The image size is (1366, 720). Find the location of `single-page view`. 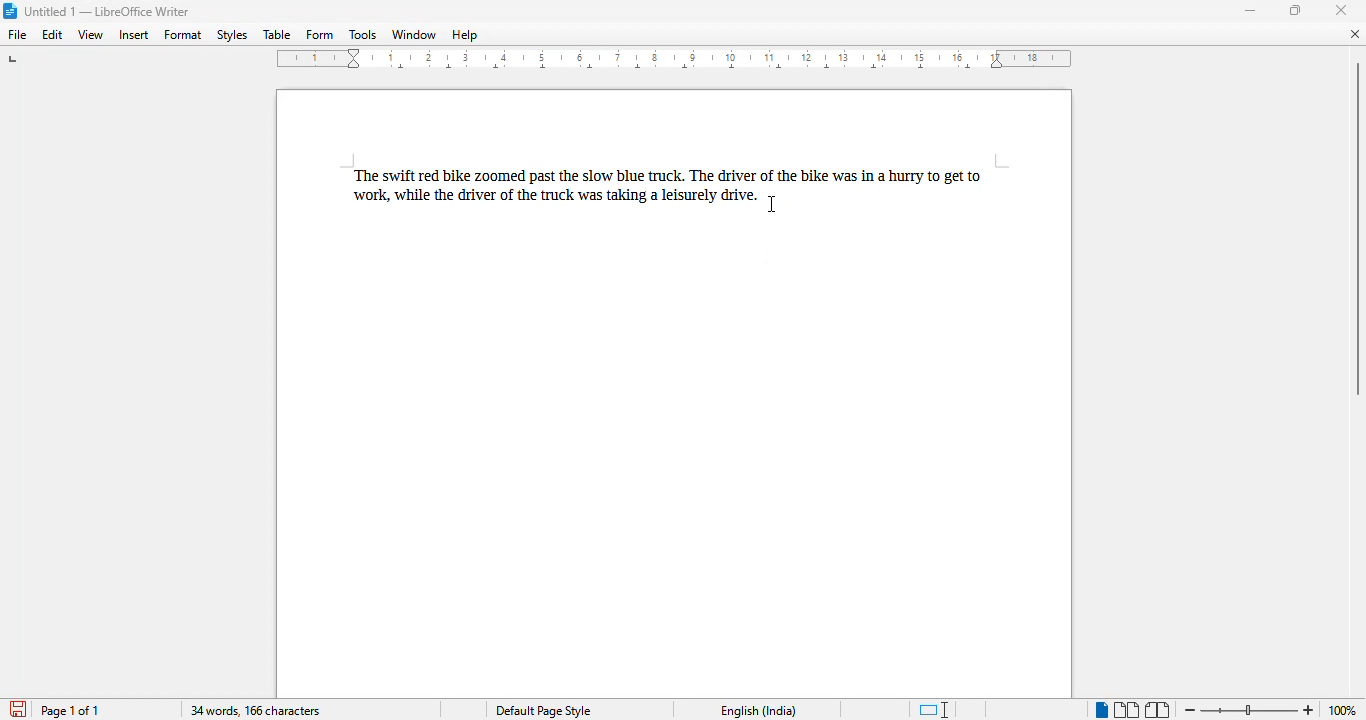

single-page view is located at coordinates (1101, 710).